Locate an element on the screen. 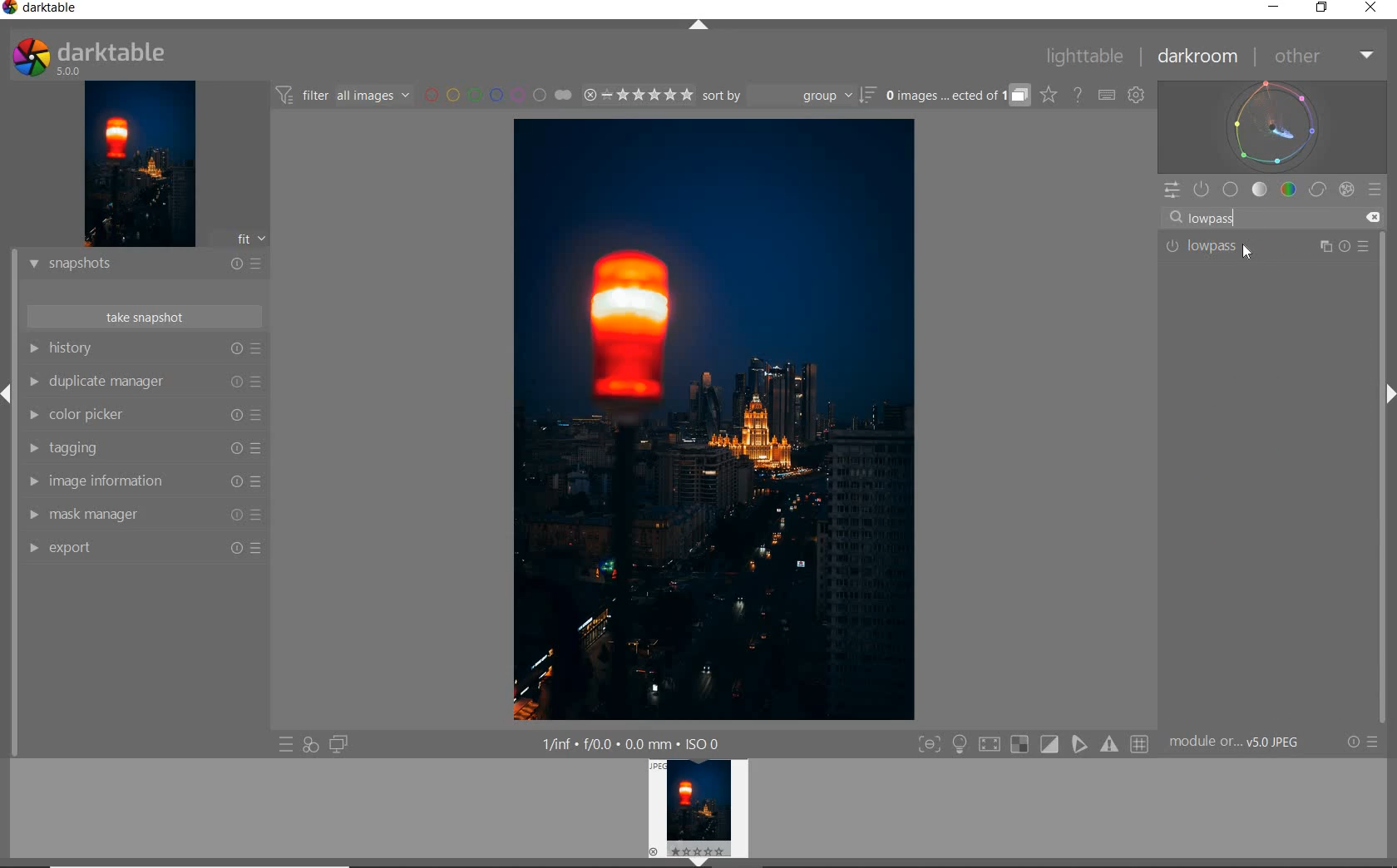 The image size is (1397, 868). Cursor is located at coordinates (1247, 249).